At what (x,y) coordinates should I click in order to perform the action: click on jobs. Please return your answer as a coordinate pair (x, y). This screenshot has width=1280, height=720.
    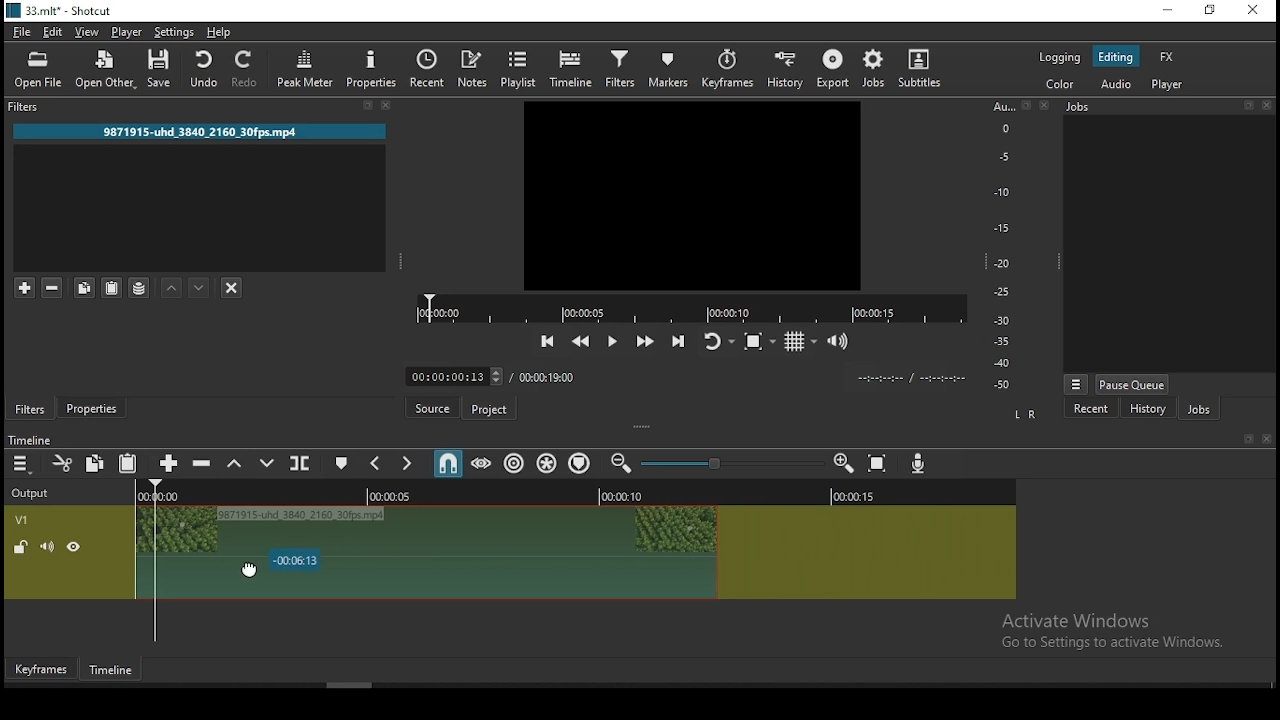
    Looking at the image, I should click on (1206, 410).